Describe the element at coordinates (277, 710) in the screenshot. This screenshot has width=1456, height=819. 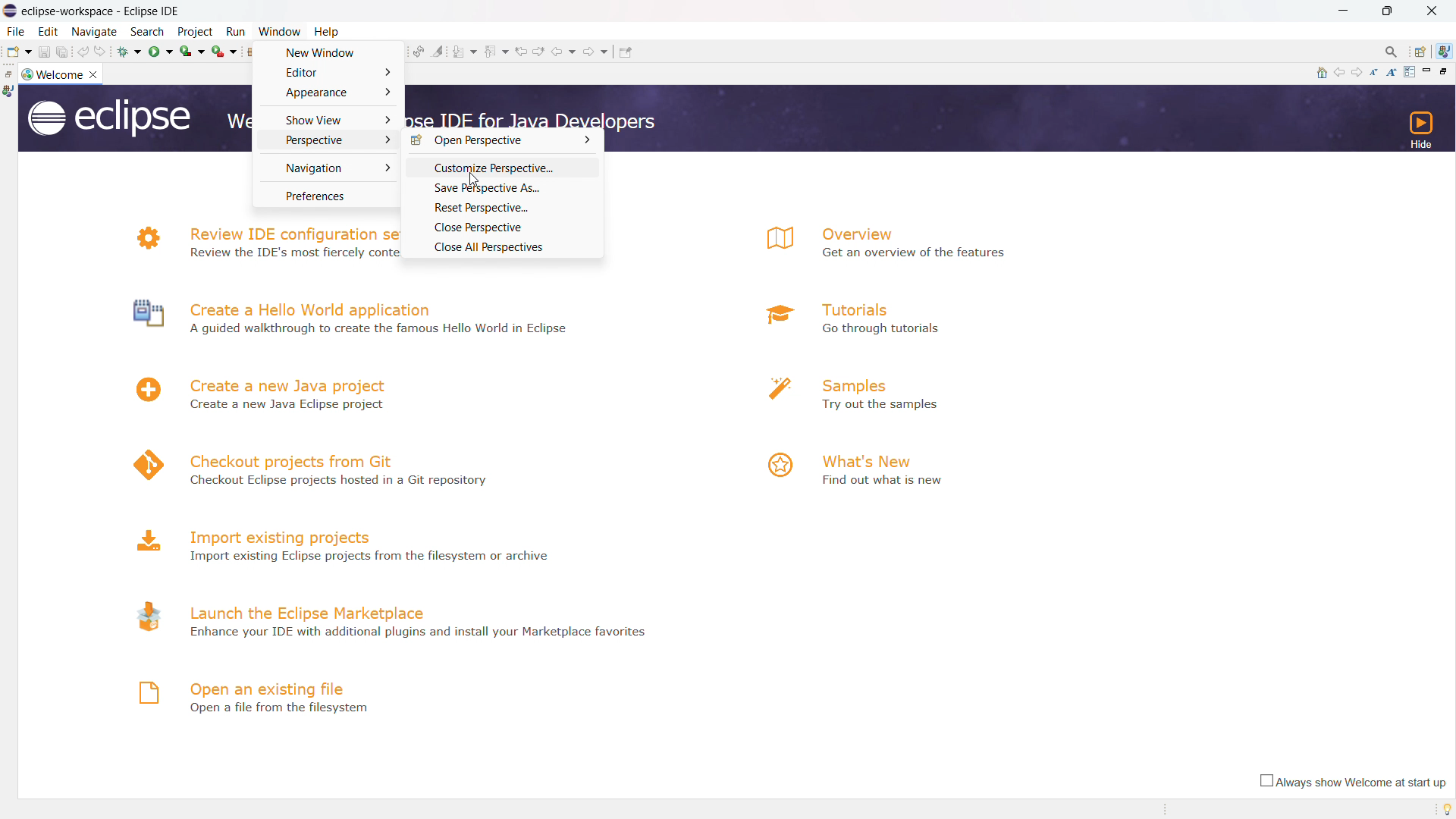
I see `Open a file from filesystem` at that location.